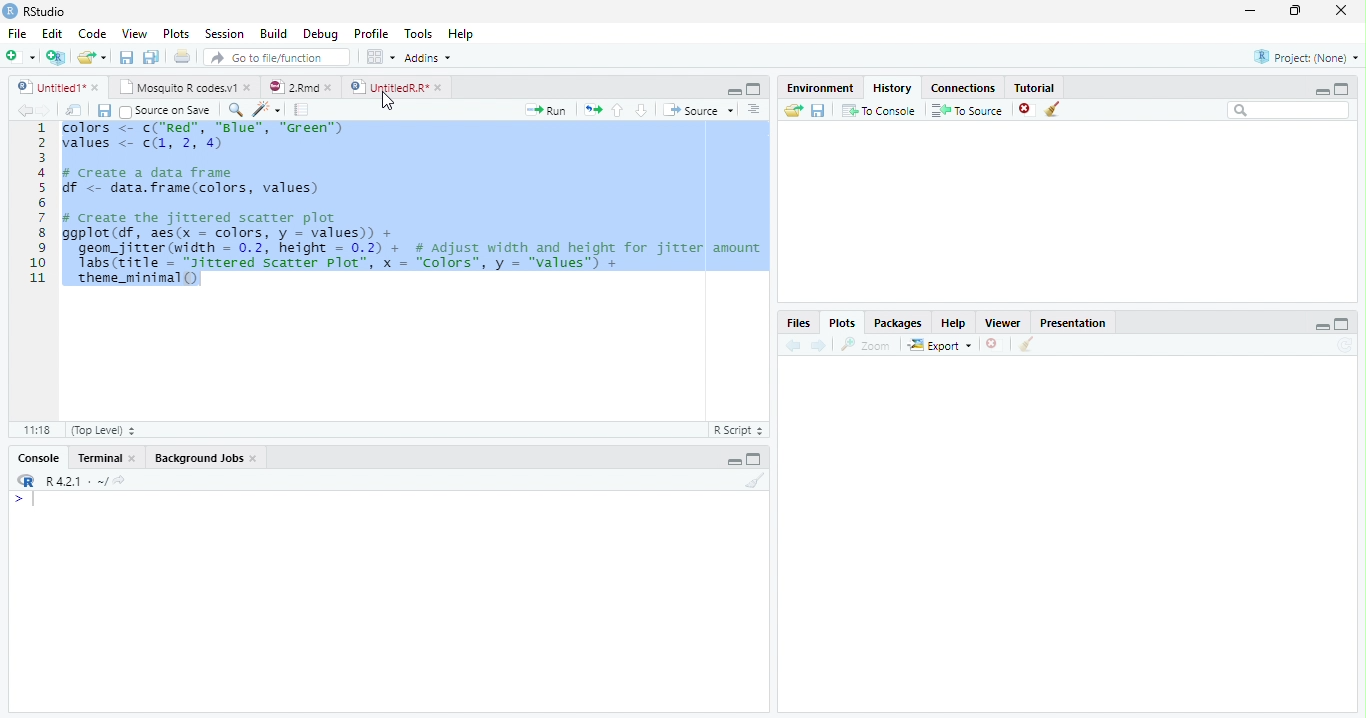 Image resolution: width=1366 pixels, height=718 pixels. What do you see at coordinates (1027, 110) in the screenshot?
I see `Remove the selected history entries` at bounding box center [1027, 110].